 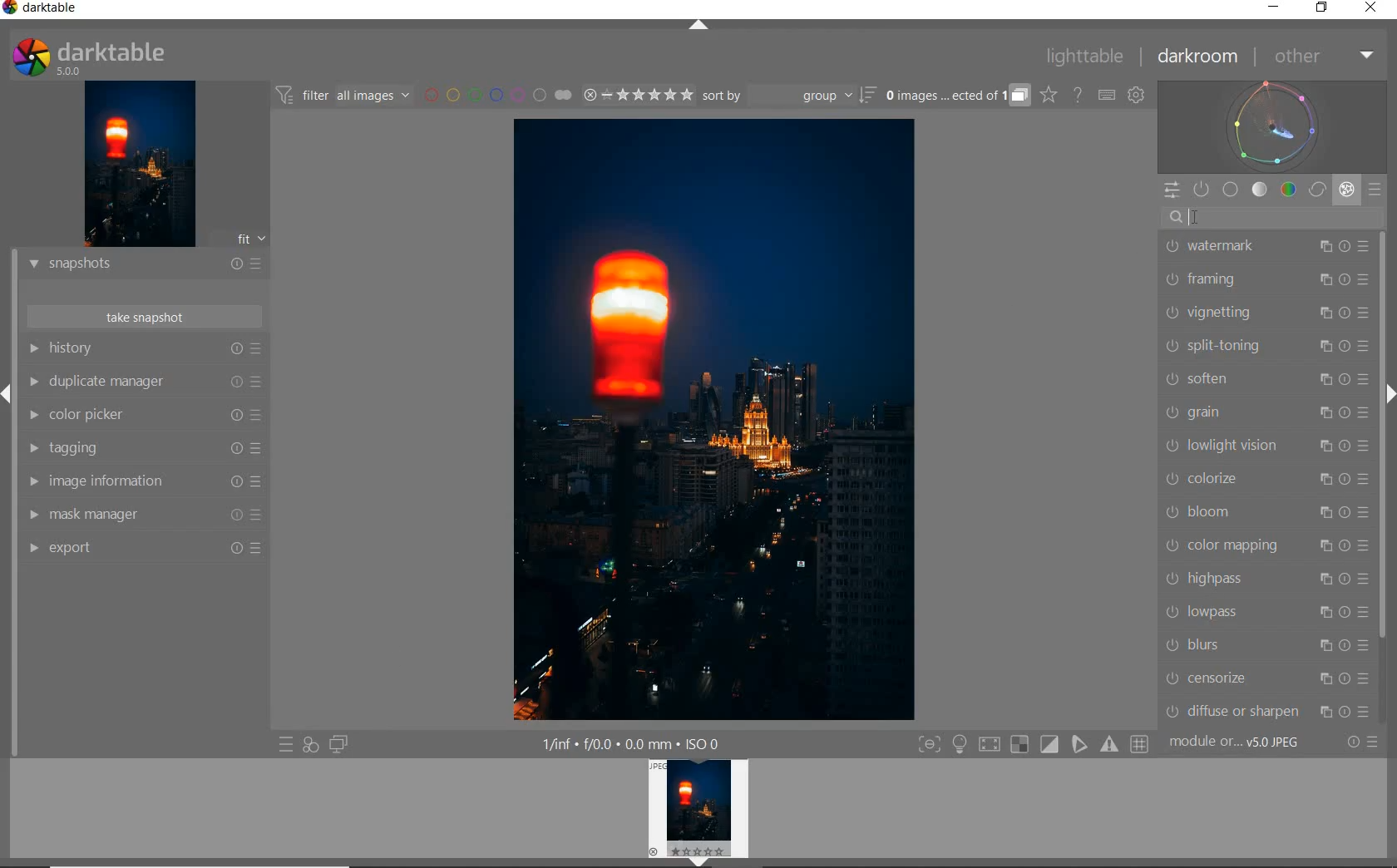 I want to click on WAVEFORM, so click(x=1275, y=126).